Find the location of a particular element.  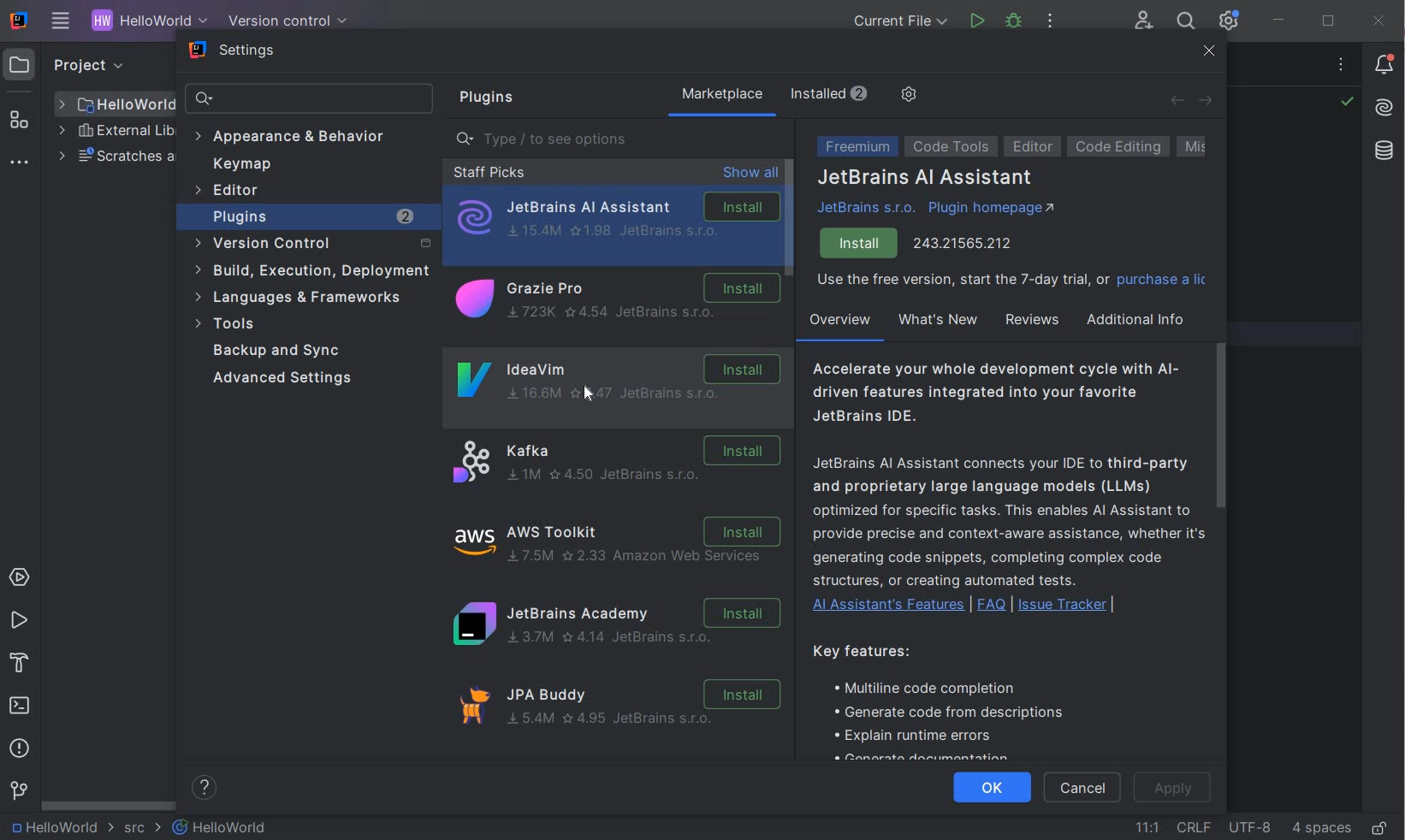

JetBrains AI Assistant is located at coordinates (926, 179).